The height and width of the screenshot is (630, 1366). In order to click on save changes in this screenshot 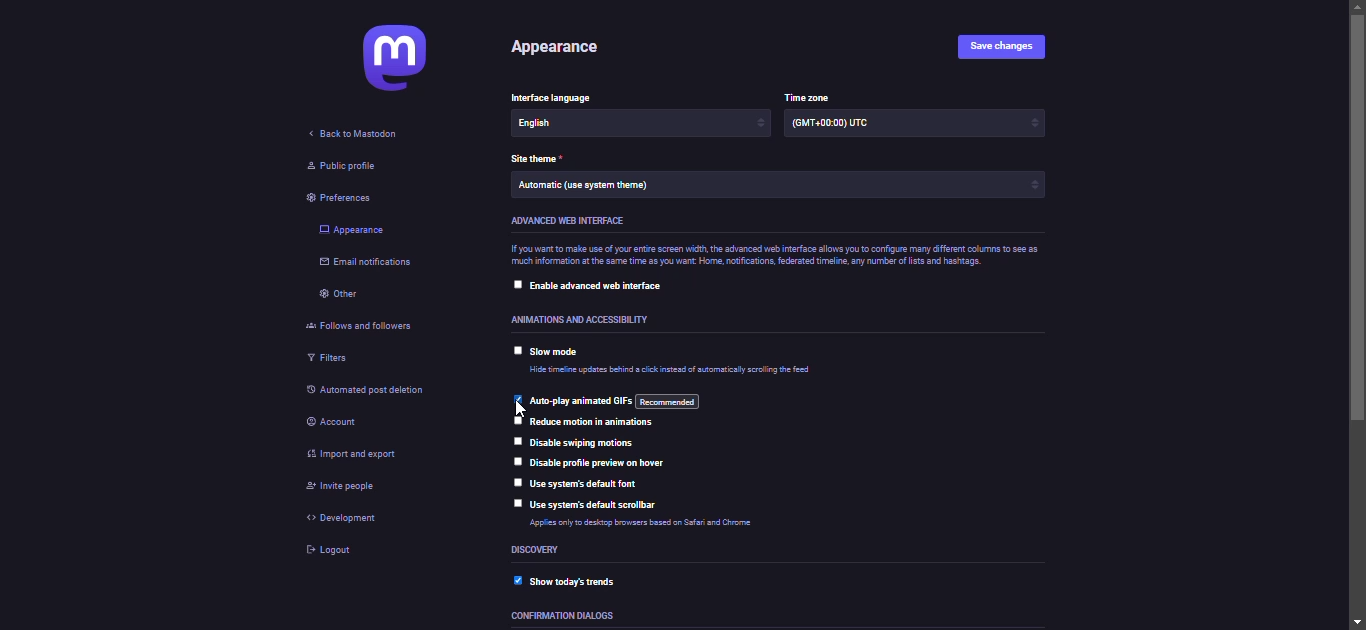, I will do `click(1010, 46)`.